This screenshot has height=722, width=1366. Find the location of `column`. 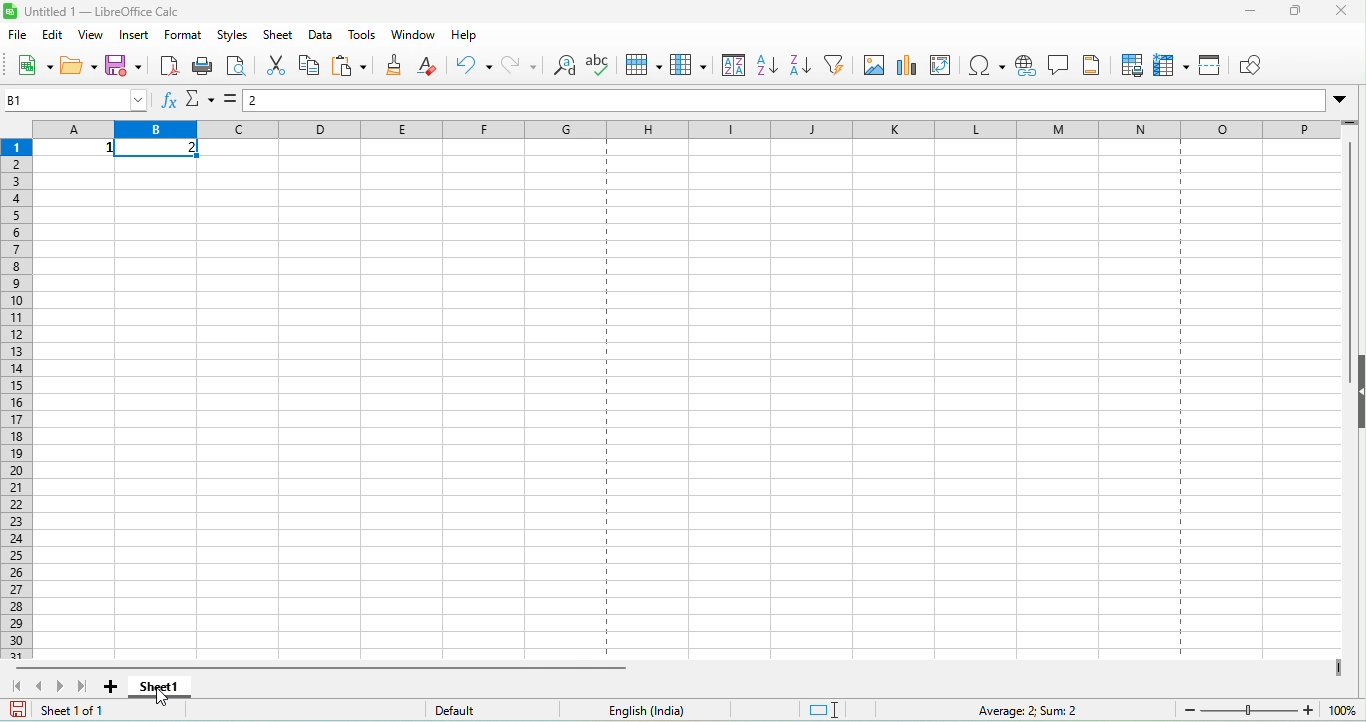

column is located at coordinates (689, 67).